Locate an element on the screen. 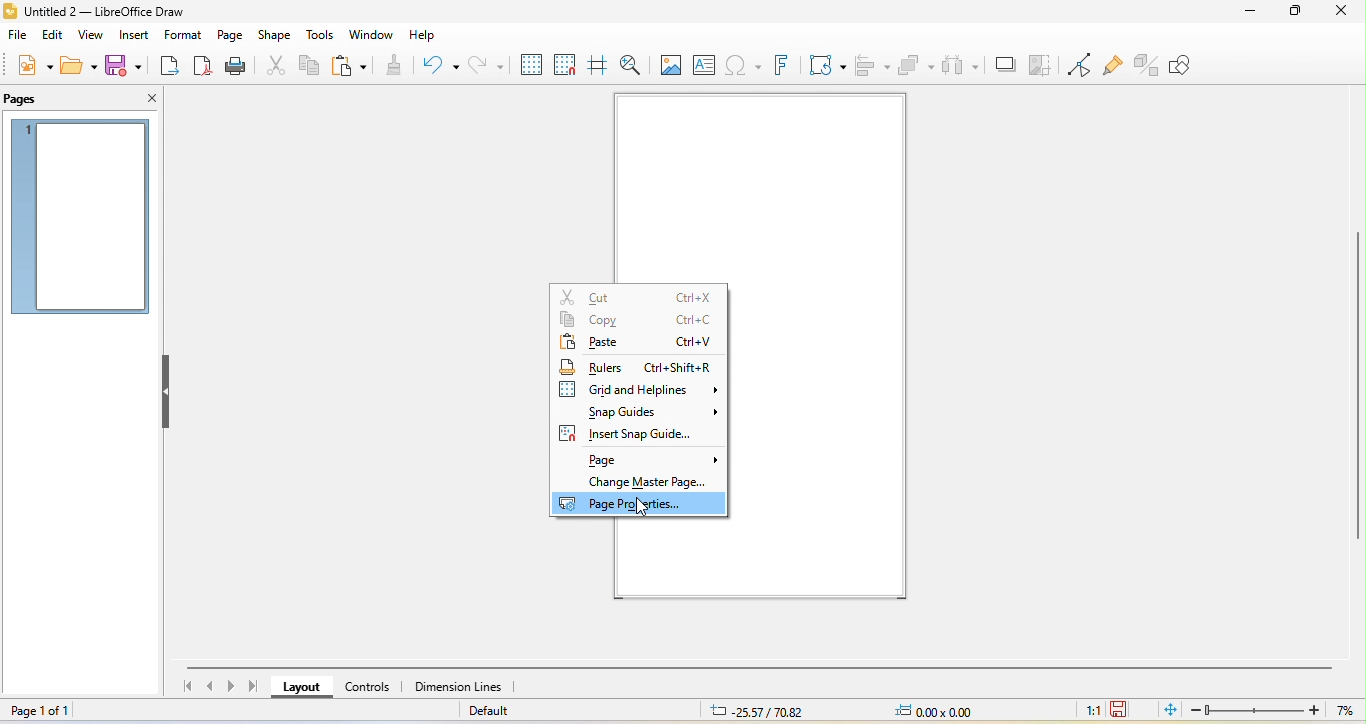 The height and width of the screenshot is (724, 1366). transformation is located at coordinates (829, 66).